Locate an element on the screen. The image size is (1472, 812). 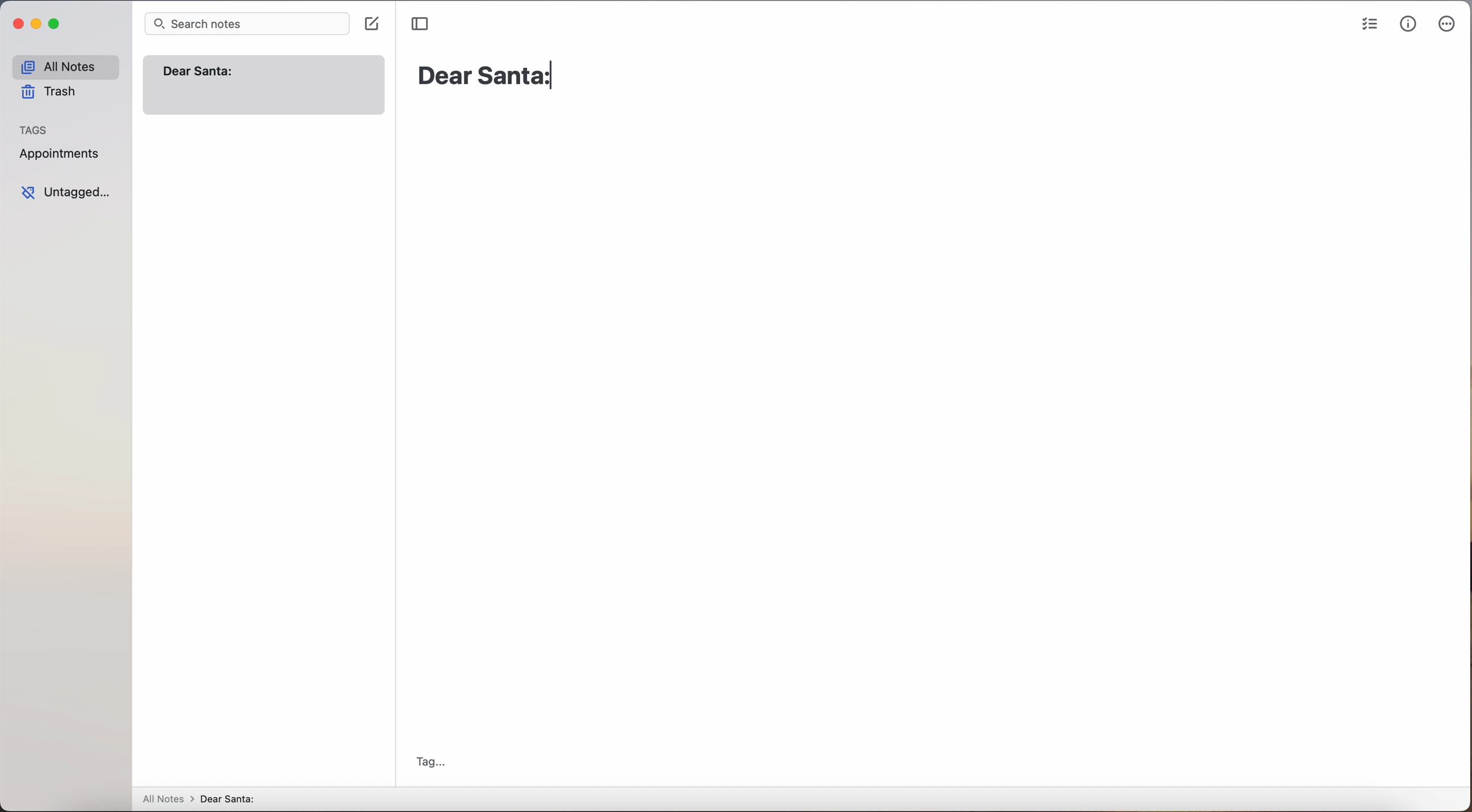
all notes is located at coordinates (166, 798).